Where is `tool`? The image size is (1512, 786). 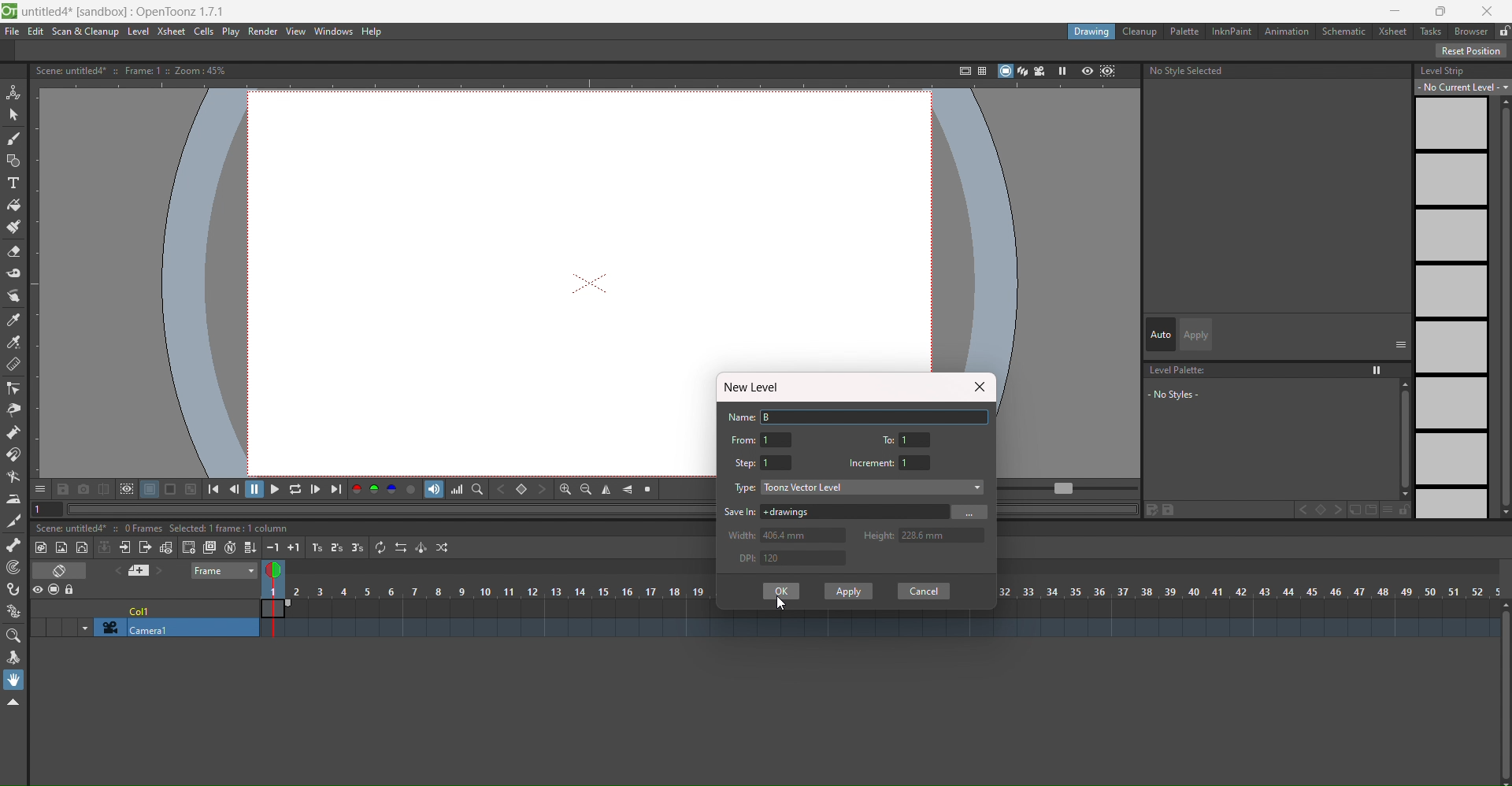 tool is located at coordinates (191, 488).